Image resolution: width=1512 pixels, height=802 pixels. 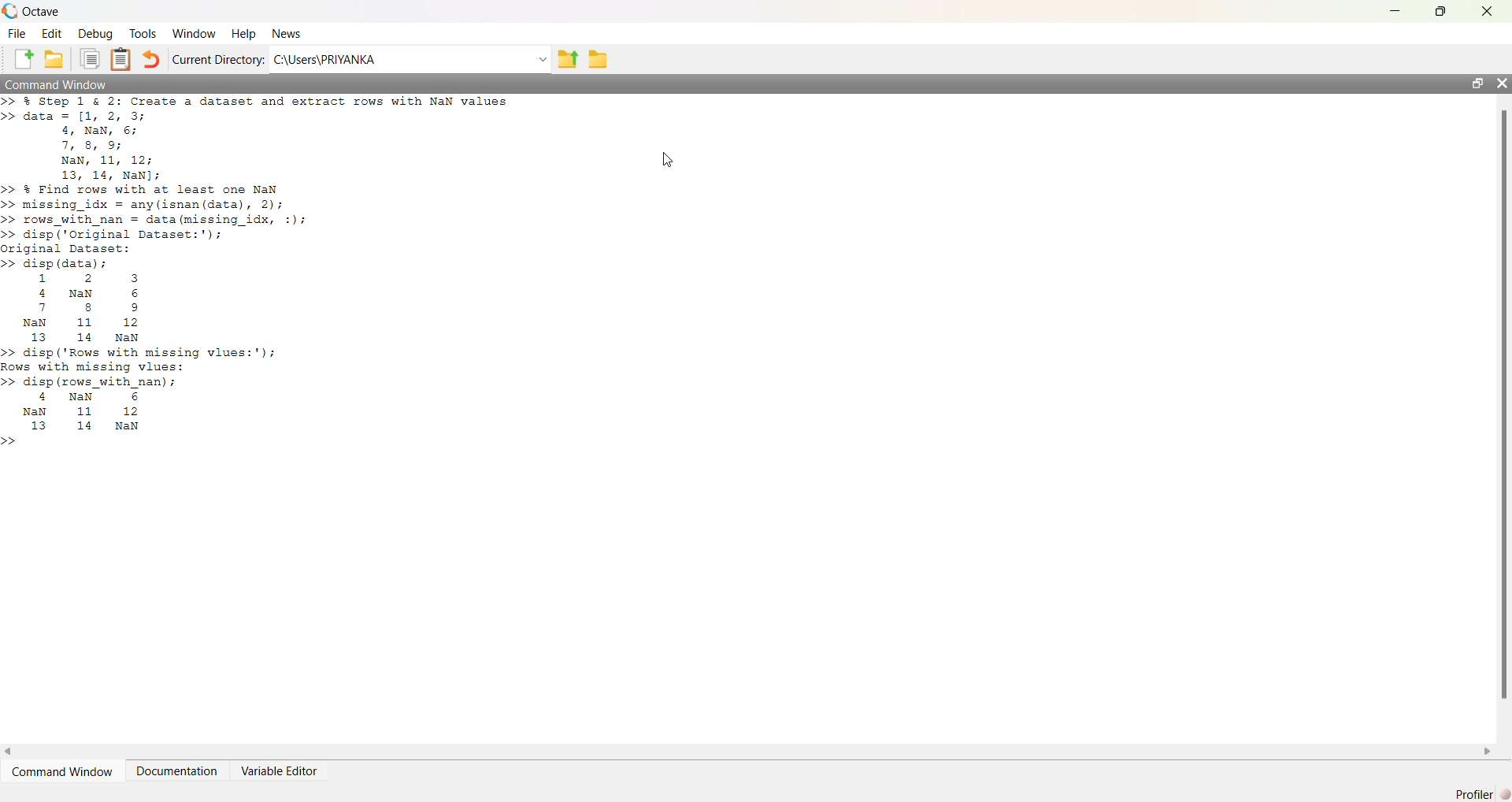 I want to click on Variable Editor, so click(x=278, y=771).